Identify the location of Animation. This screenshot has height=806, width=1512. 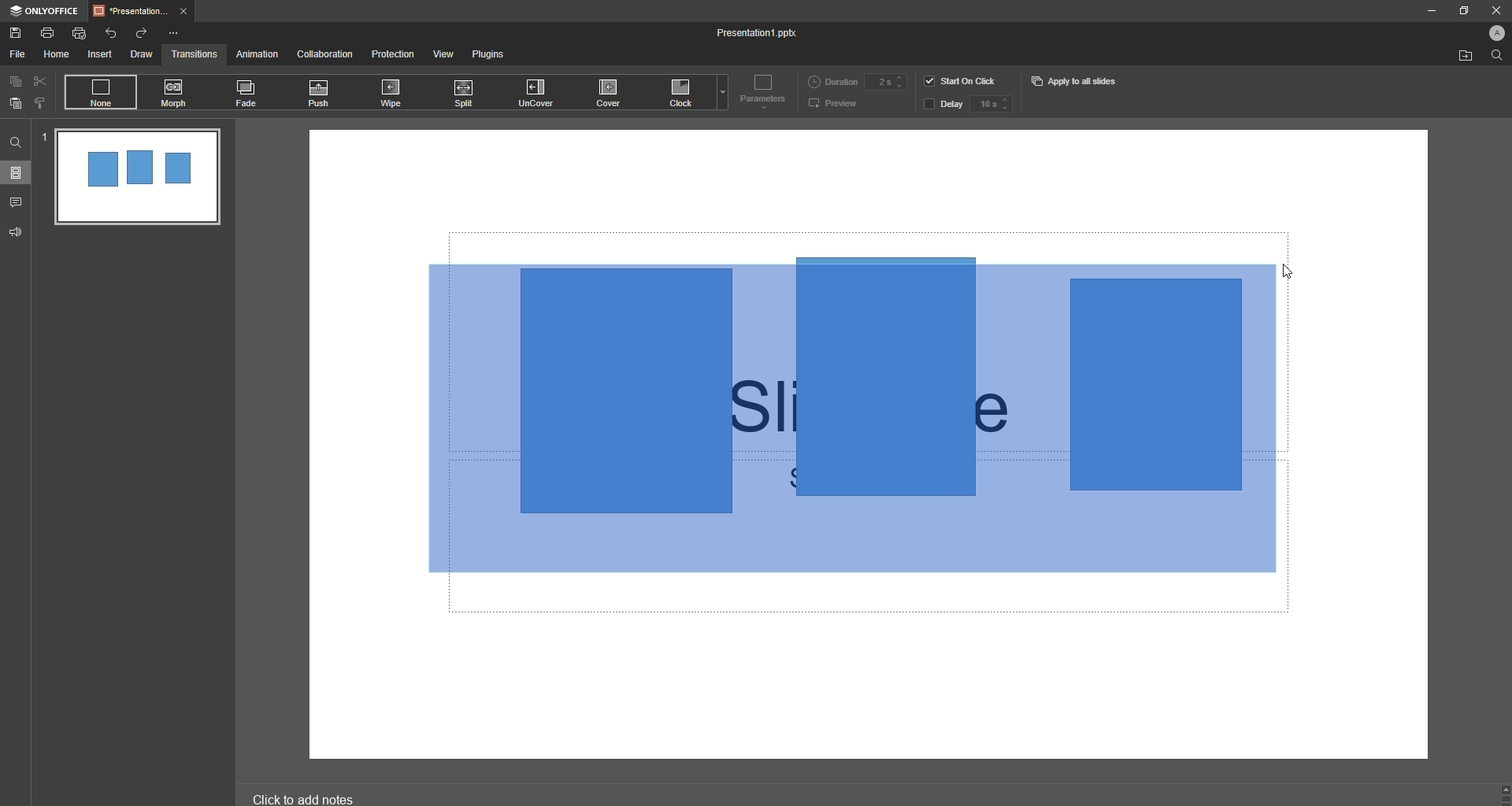
(256, 54).